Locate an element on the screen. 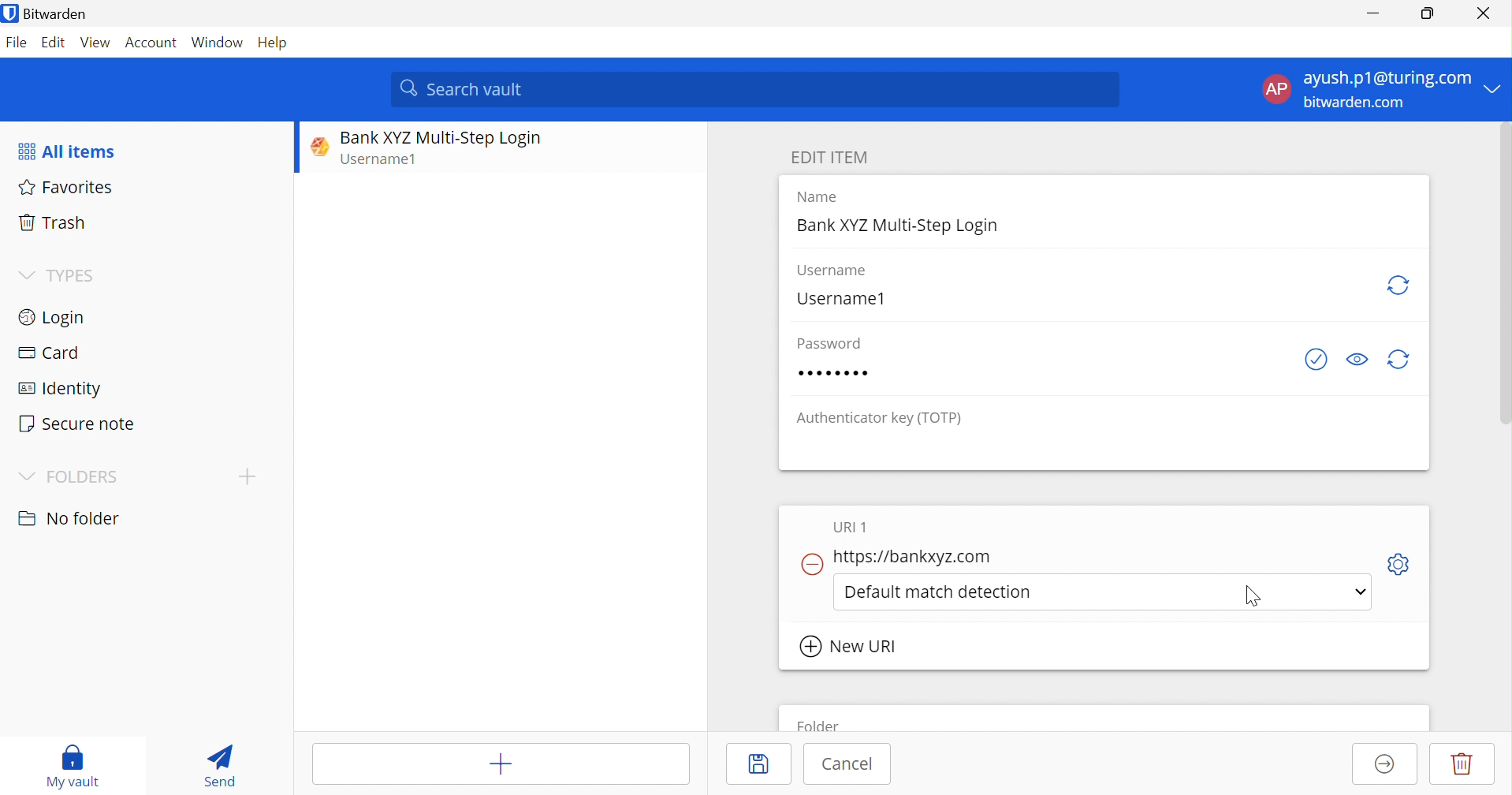 The width and height of the screenshot is (1512, 795). Move to organisation is located at coordinates (1385, 765).